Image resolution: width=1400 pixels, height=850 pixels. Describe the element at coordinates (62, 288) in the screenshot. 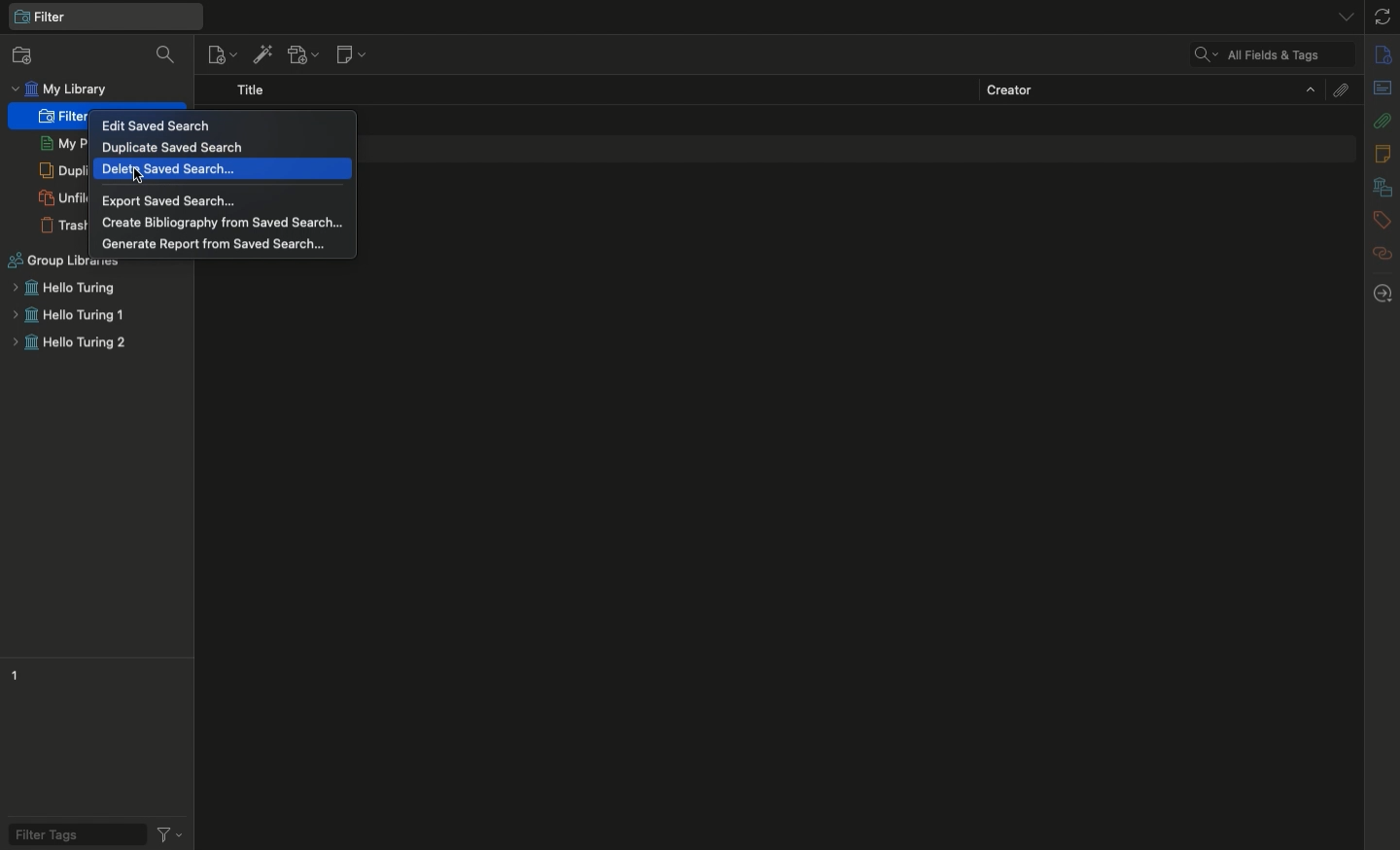

I see `Hello turing` at that location.